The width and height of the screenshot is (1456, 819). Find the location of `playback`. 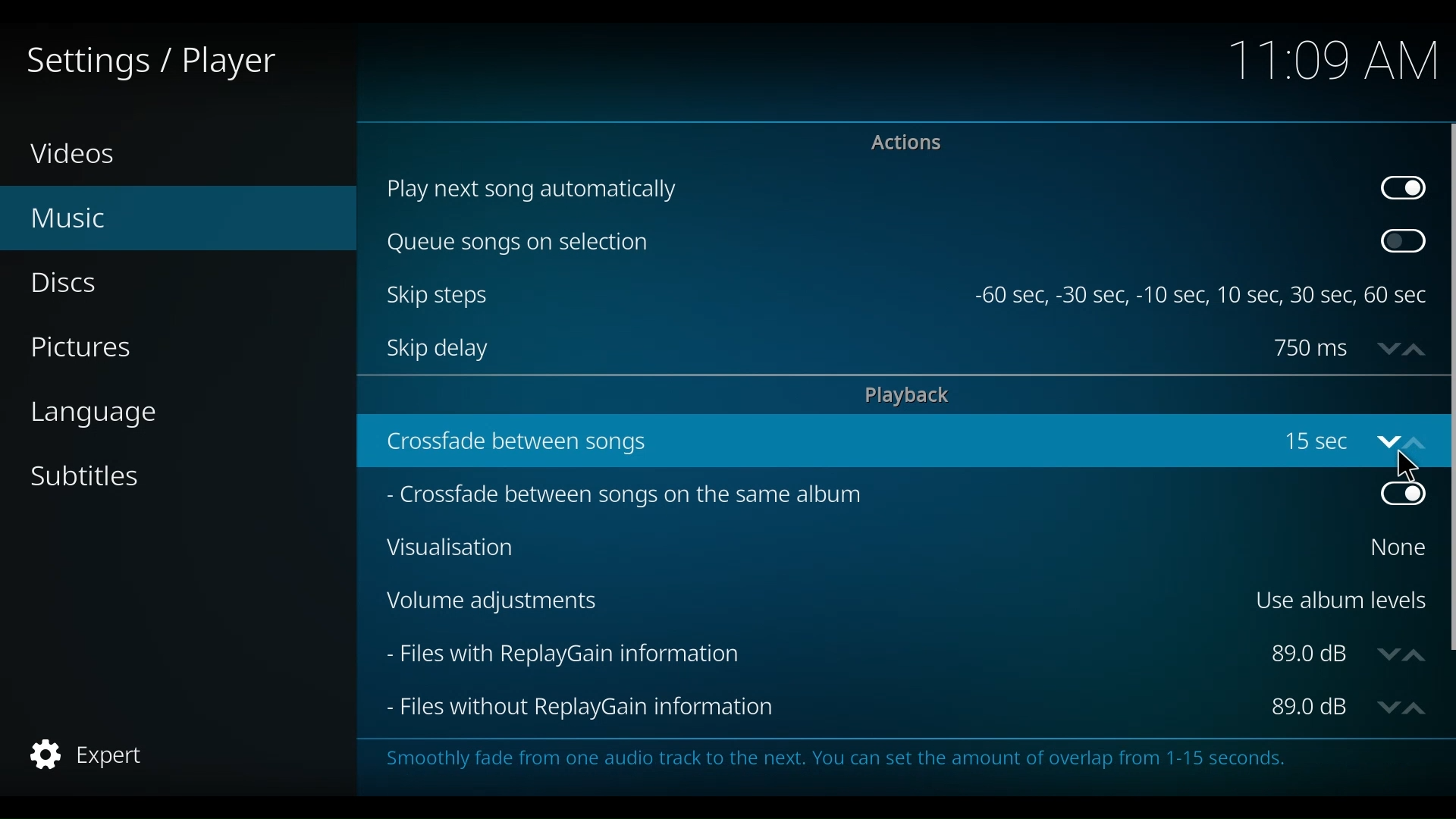

playback is located at coordinates (913, 396).